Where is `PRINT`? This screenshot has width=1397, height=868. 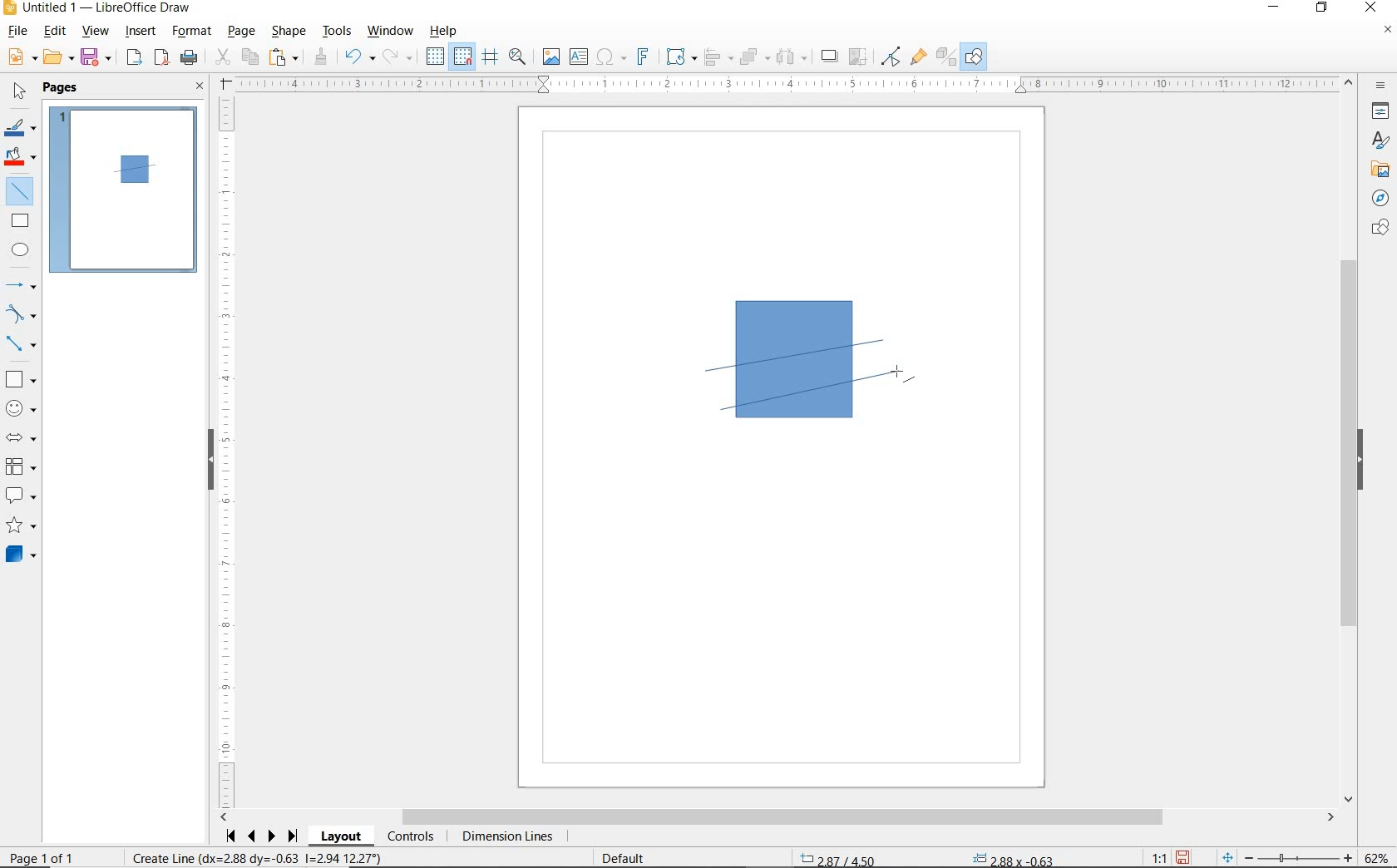
PRINT is located at coordinates (190, 60).